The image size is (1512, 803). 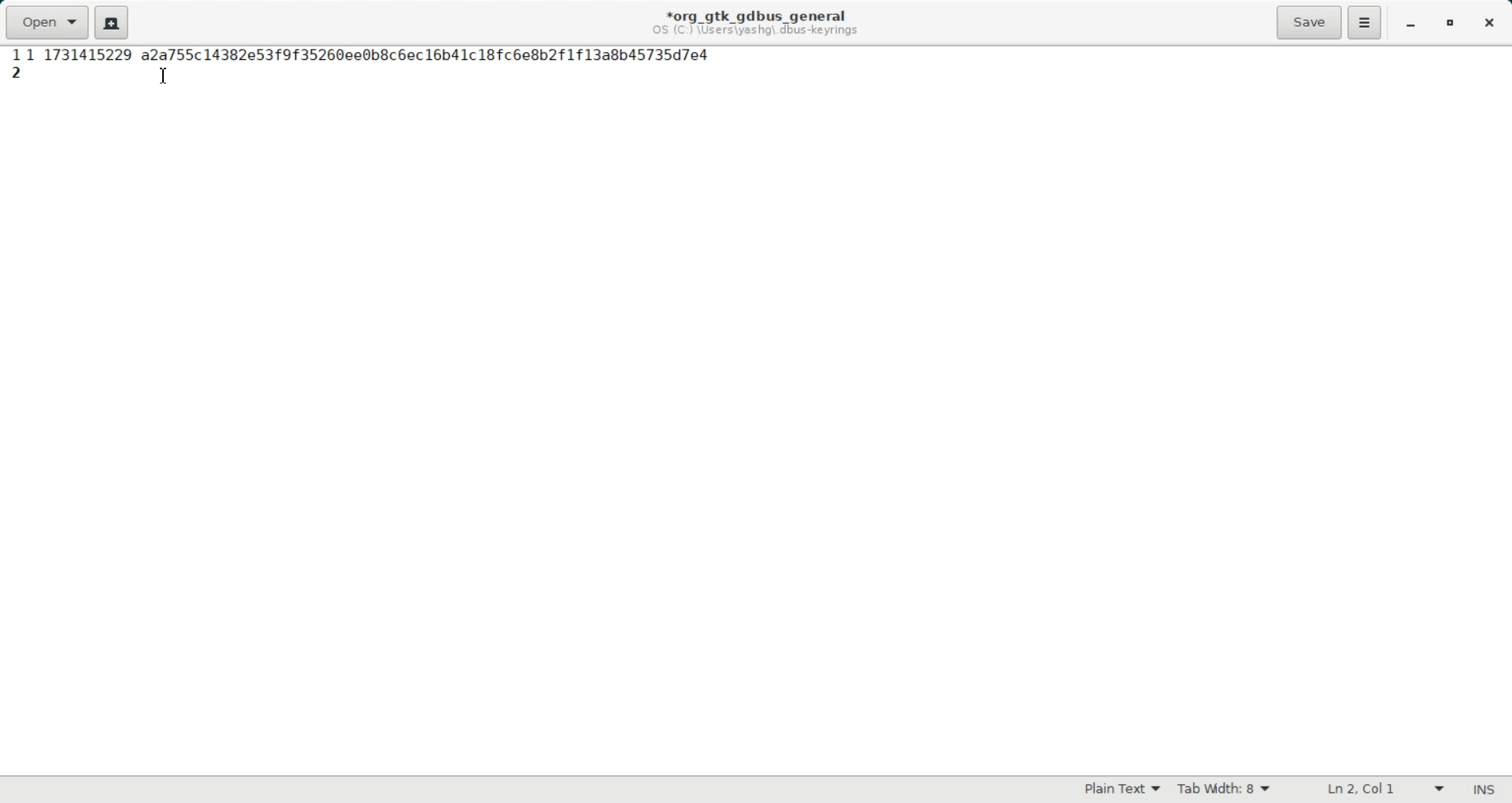 What do you see at coordinates (18, 72) in the screenshot?
I see `Line Number` at bounding box center [18, 72].